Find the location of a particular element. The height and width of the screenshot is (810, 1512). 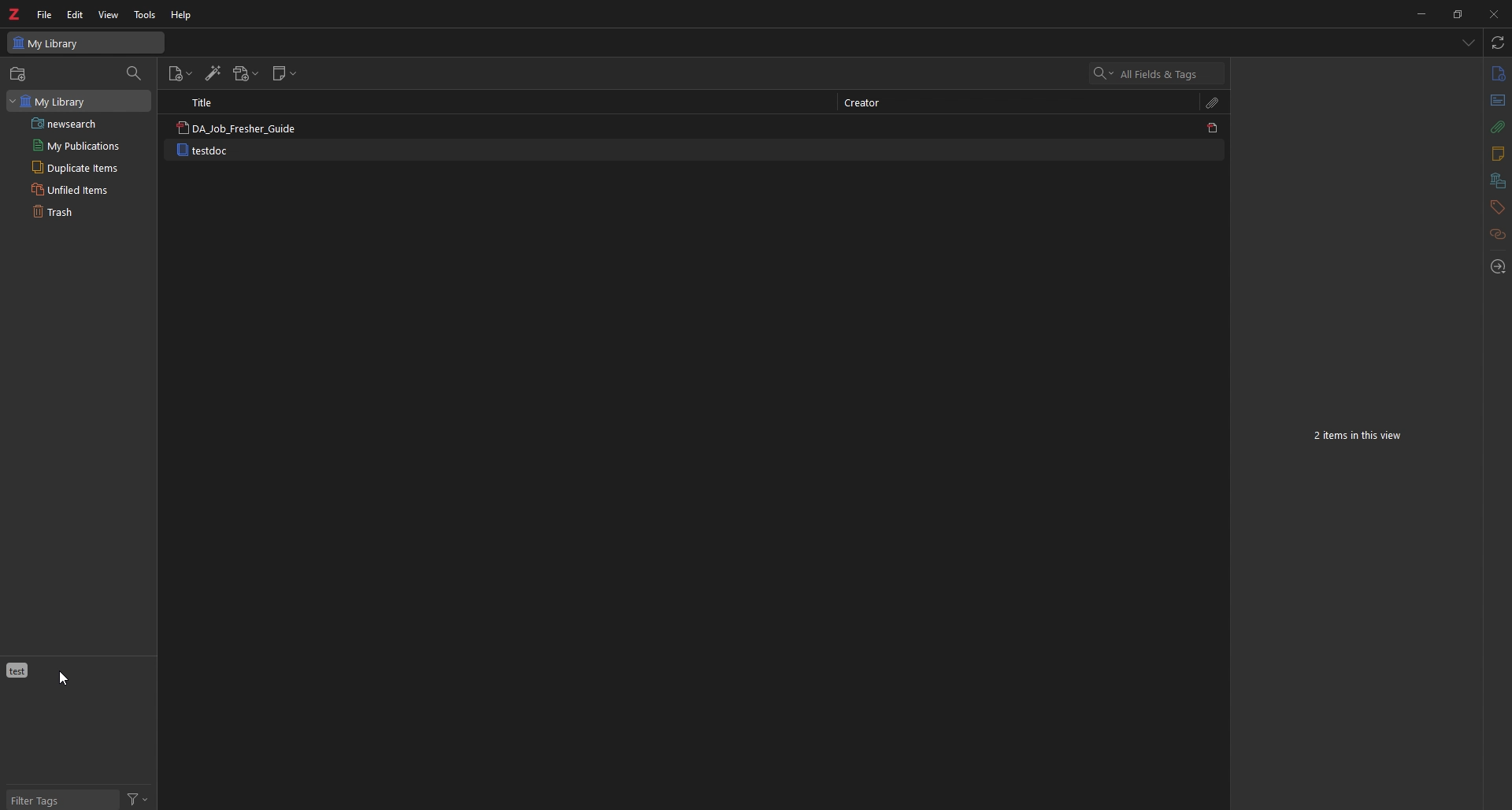

my library is located at coordinates (86, 42).